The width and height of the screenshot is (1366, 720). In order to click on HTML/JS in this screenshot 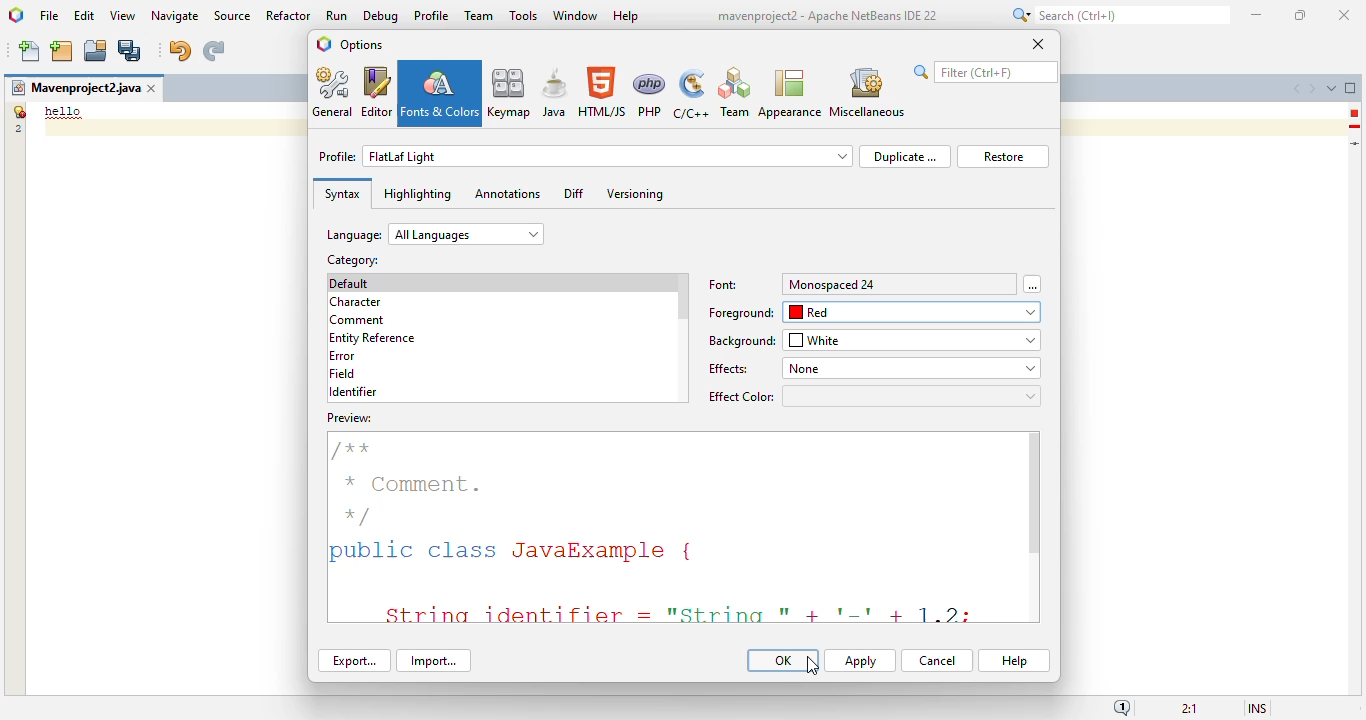, I will do `click(603, 92)`.